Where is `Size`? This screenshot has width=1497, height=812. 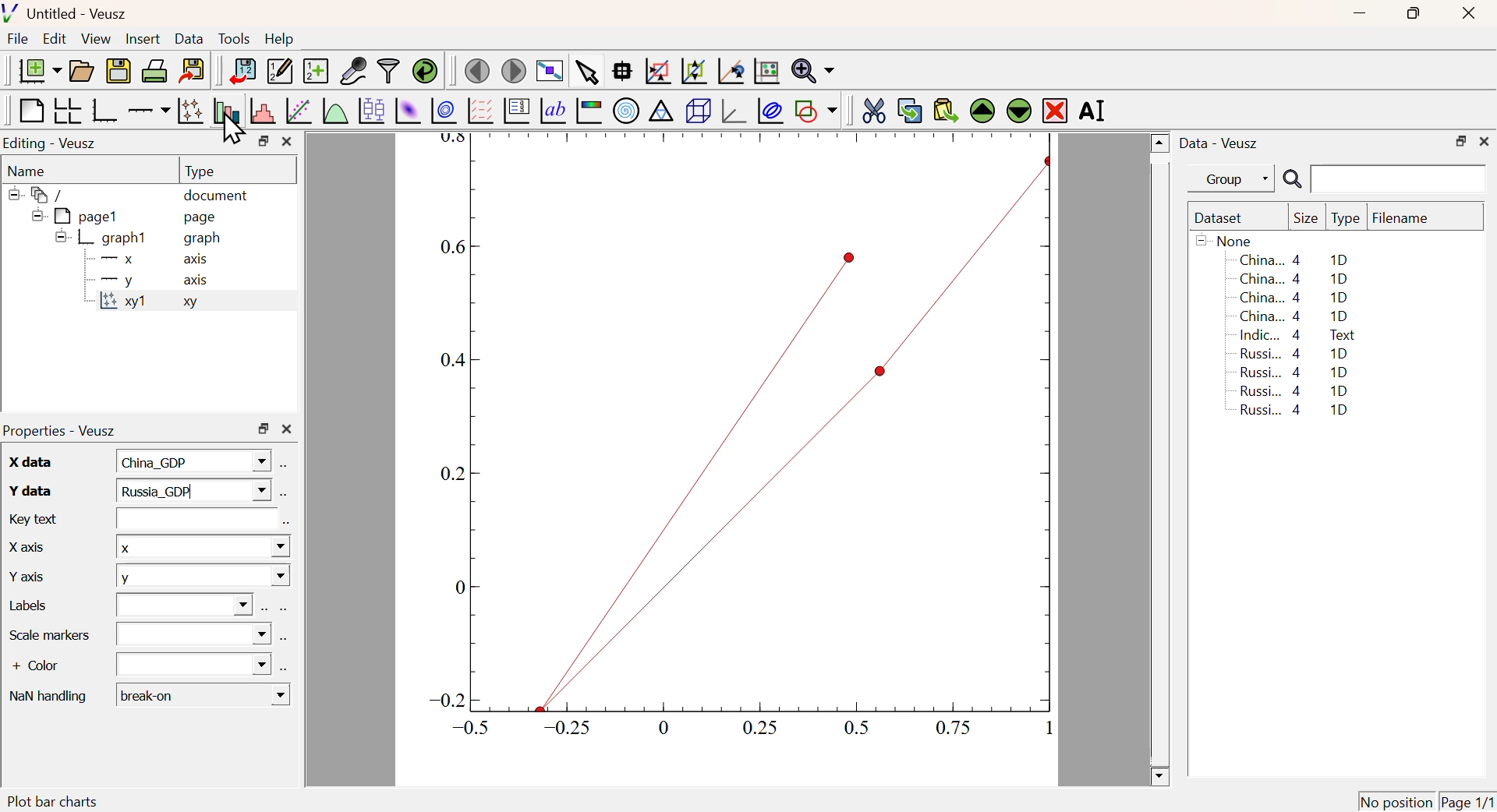
Size is located at coordinates (1306, 219).